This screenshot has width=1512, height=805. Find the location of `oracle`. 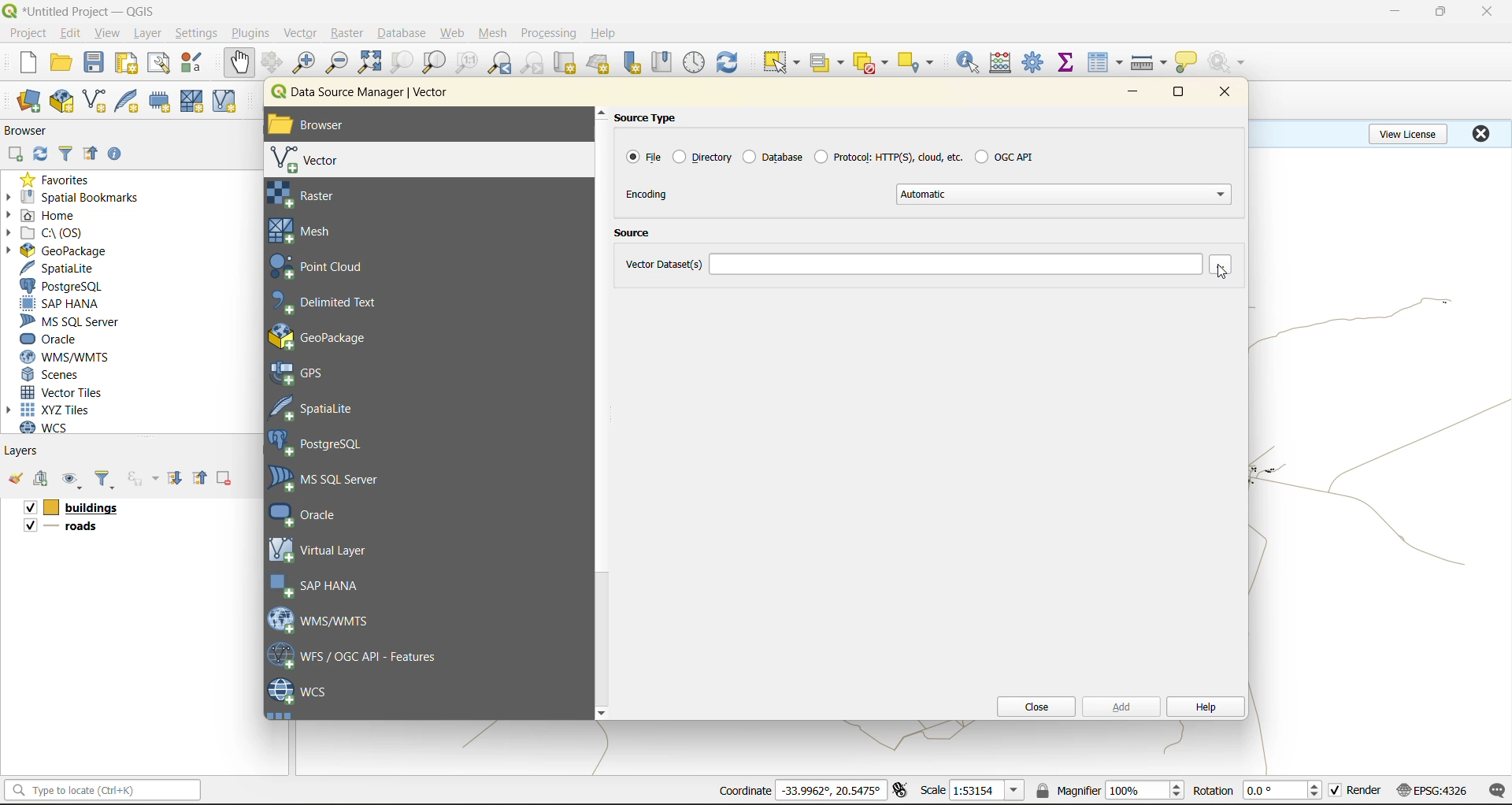

oracle is located at coordinates (317, 514).